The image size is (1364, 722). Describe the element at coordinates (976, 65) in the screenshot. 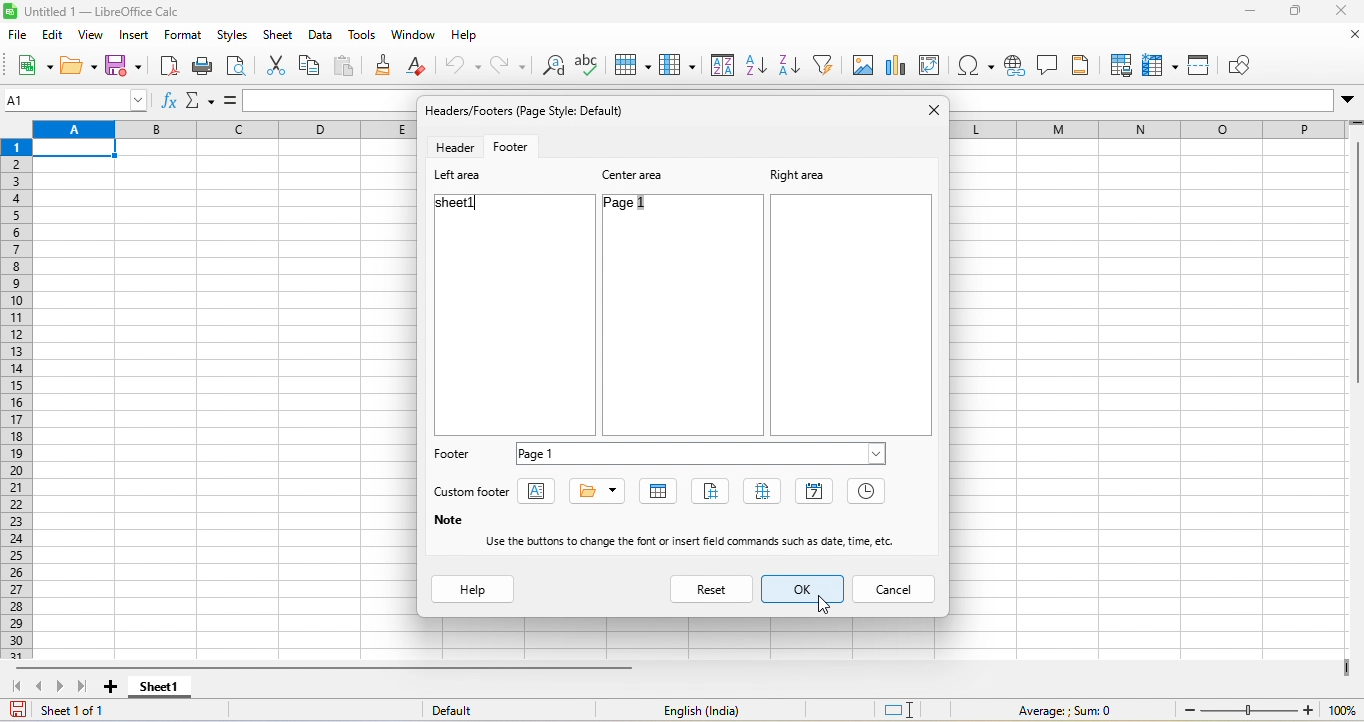

I see `special character` at that location.